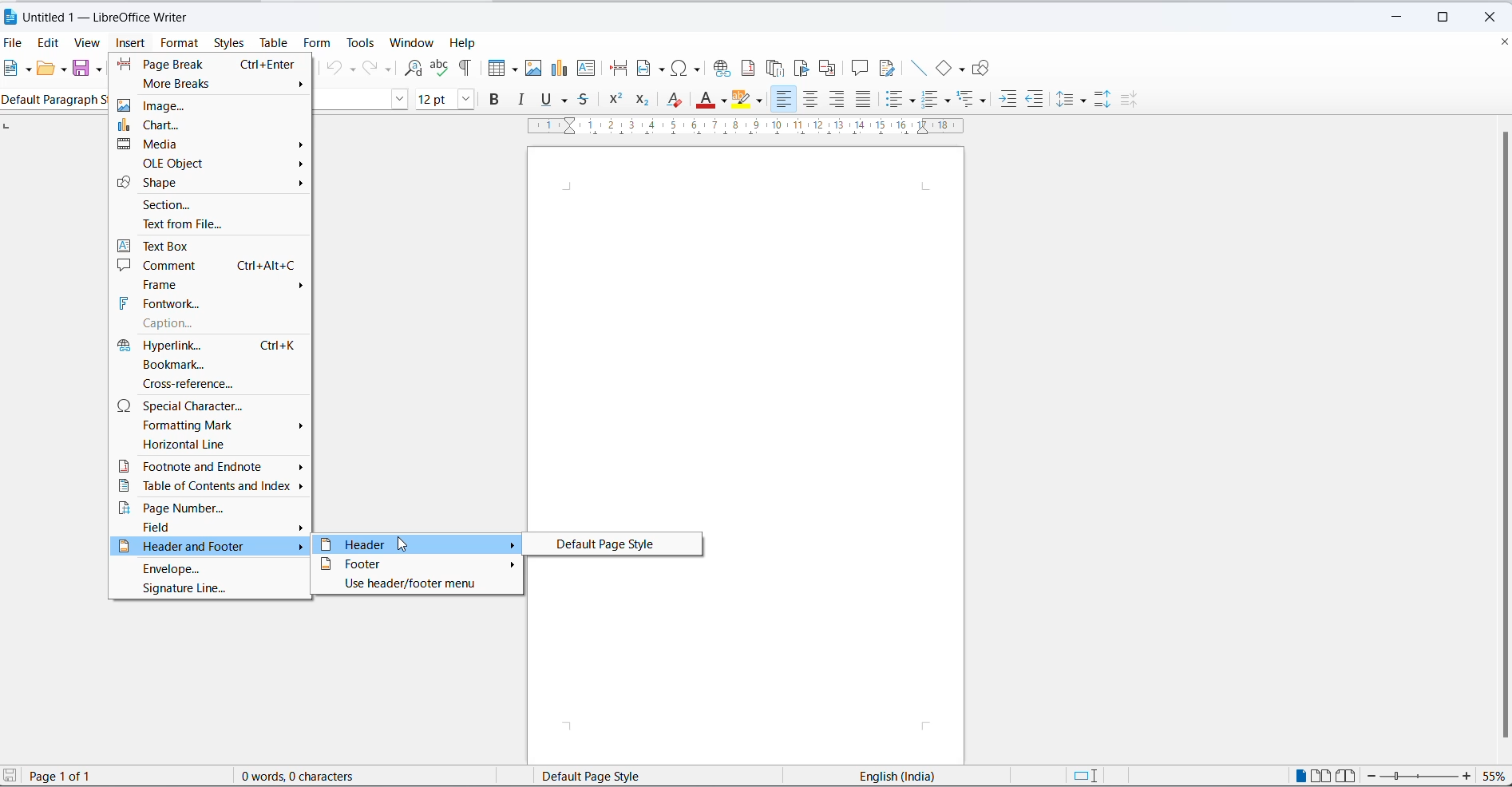 Image resolution: width=1512 pixels, height=787 pixels. I want to click on tools, so click(362, 43).